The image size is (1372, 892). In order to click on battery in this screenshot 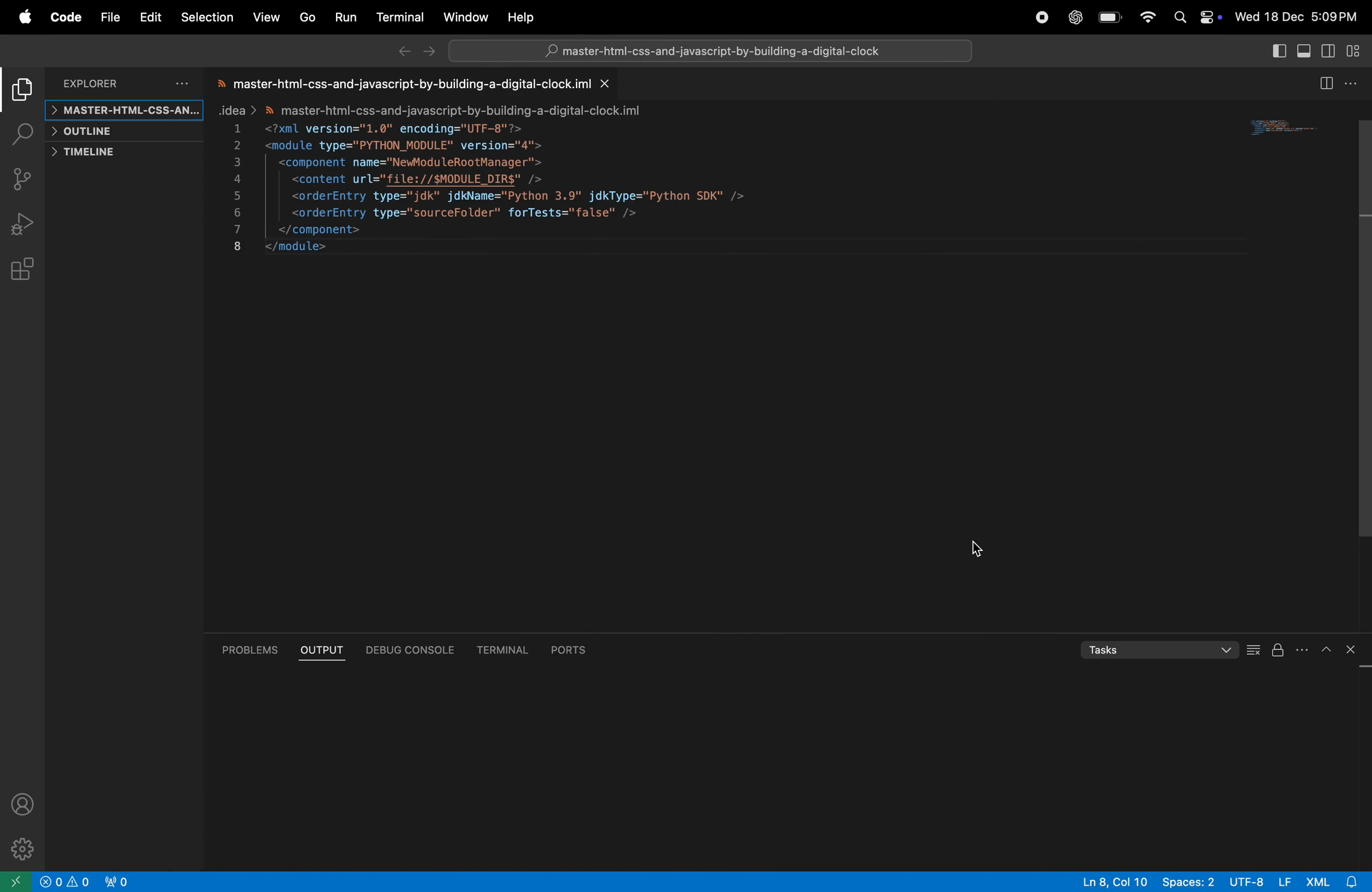, I will do `click(1110, 18)`.